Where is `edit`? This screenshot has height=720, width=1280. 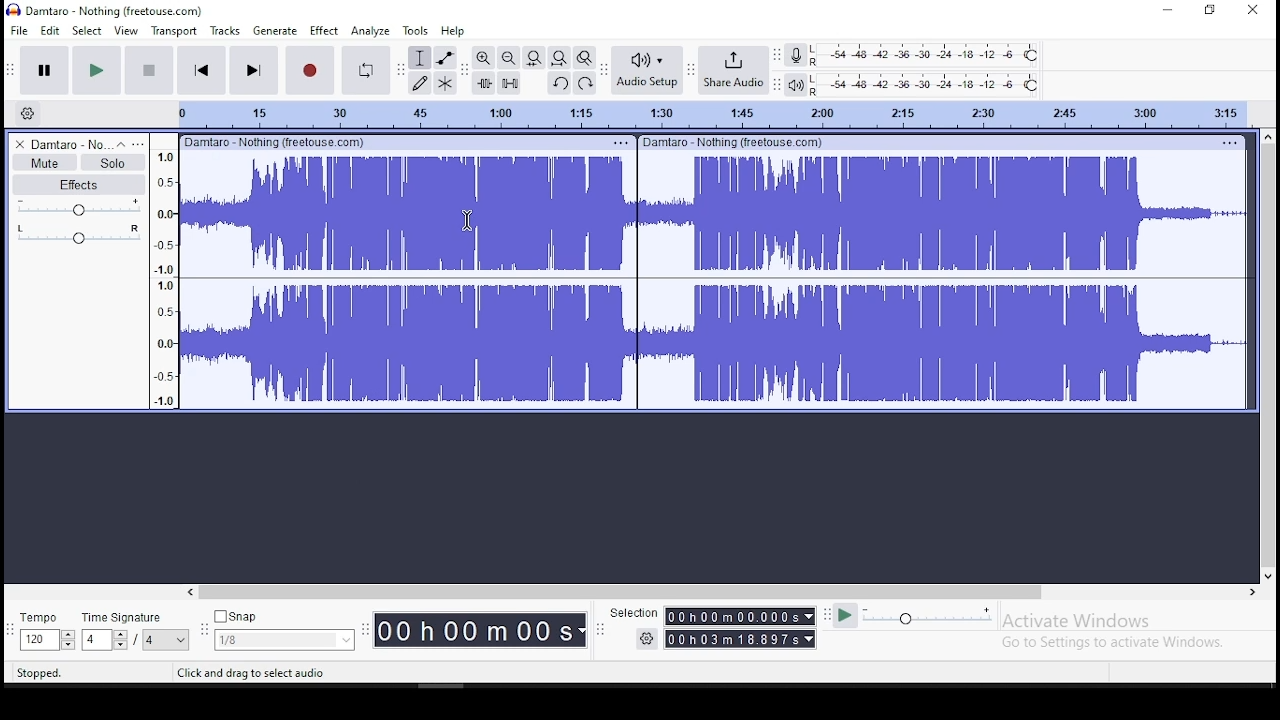
edit is located at coordinates (51, 30).